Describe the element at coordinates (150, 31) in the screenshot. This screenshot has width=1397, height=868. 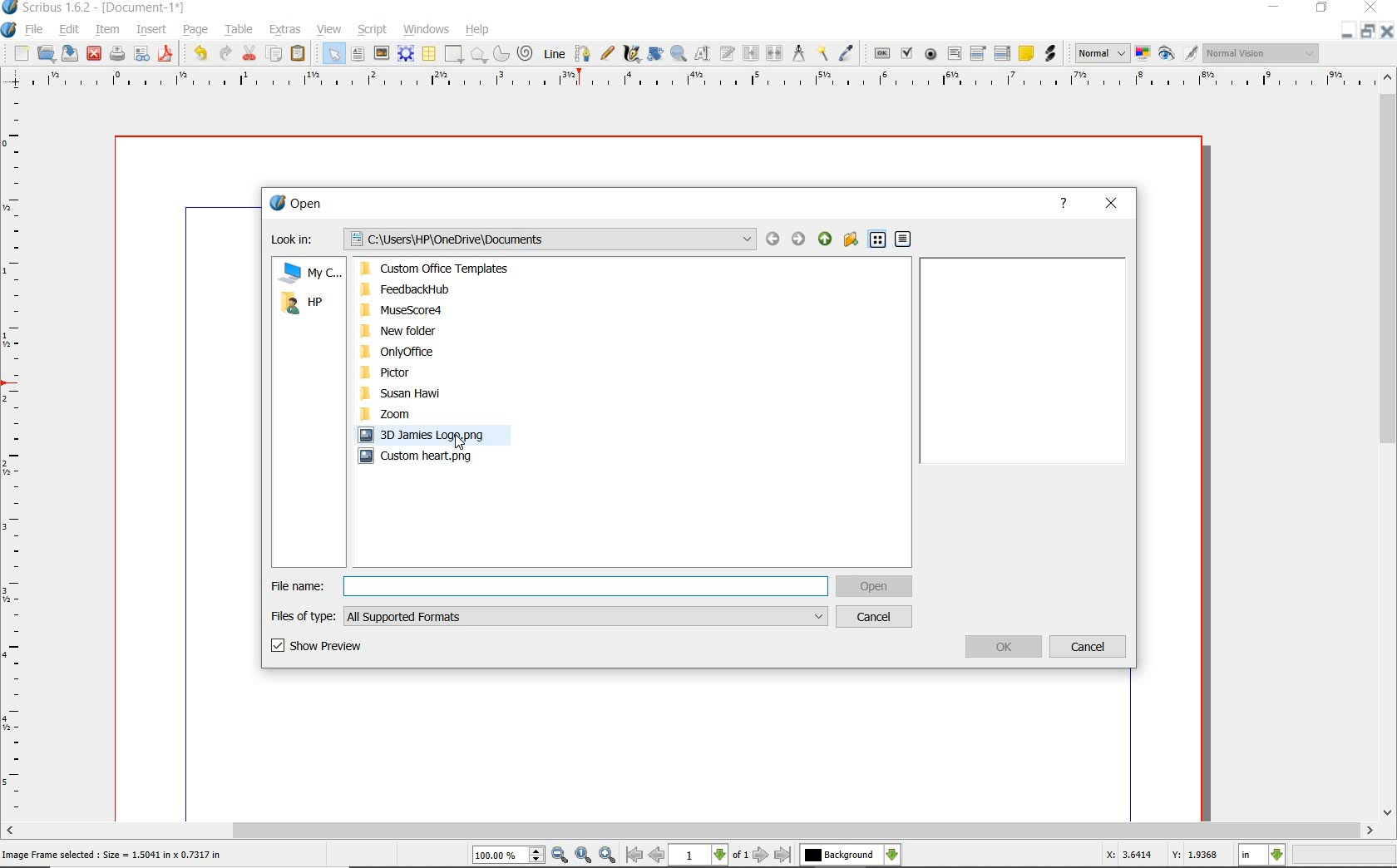
I see `insert` at that location.